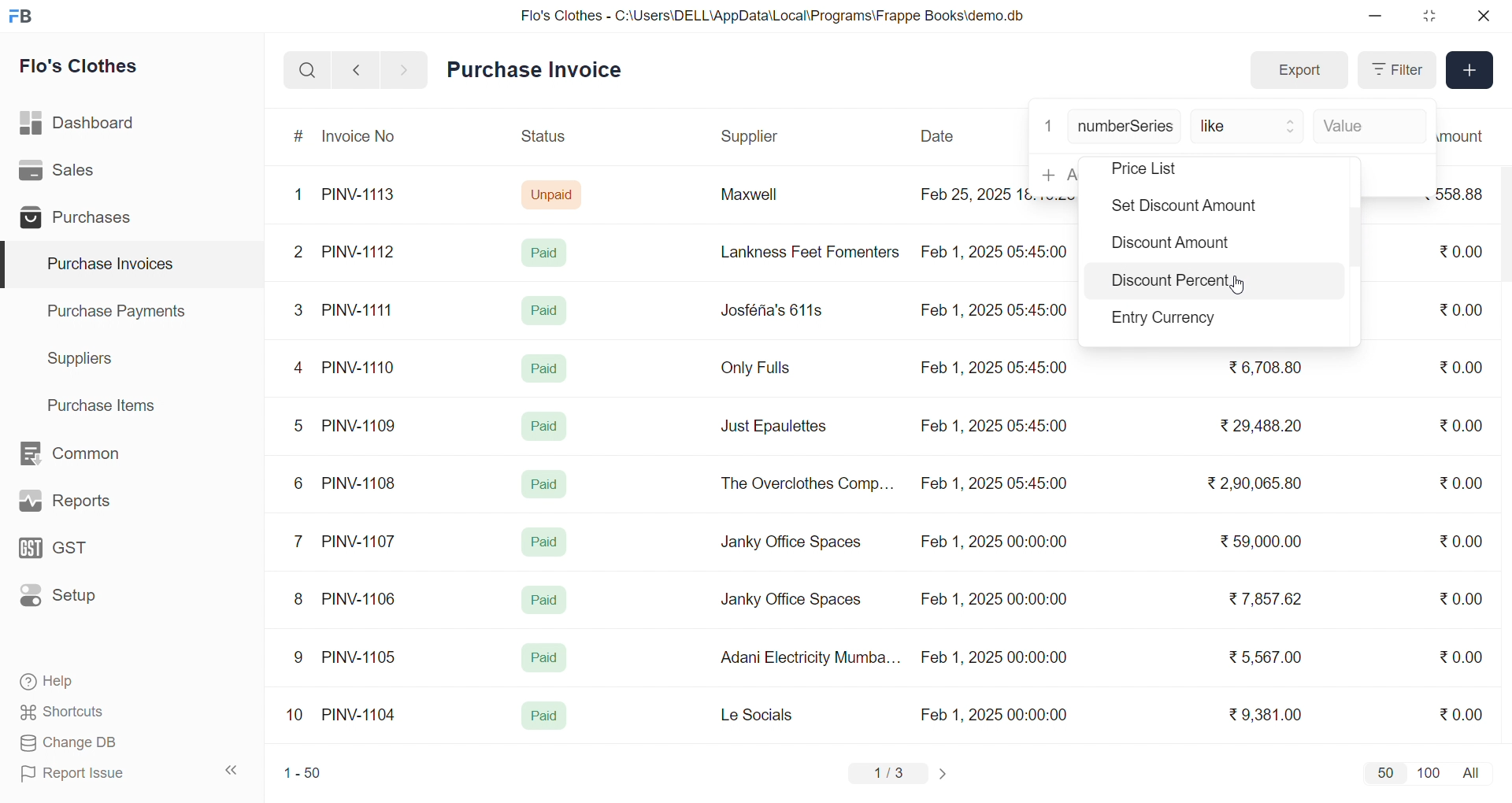  What do you see at coordinates (992, 312) in the screenshot?
I see `Feb 1, 2025 05:45:00` at bounding box center [992, 312].